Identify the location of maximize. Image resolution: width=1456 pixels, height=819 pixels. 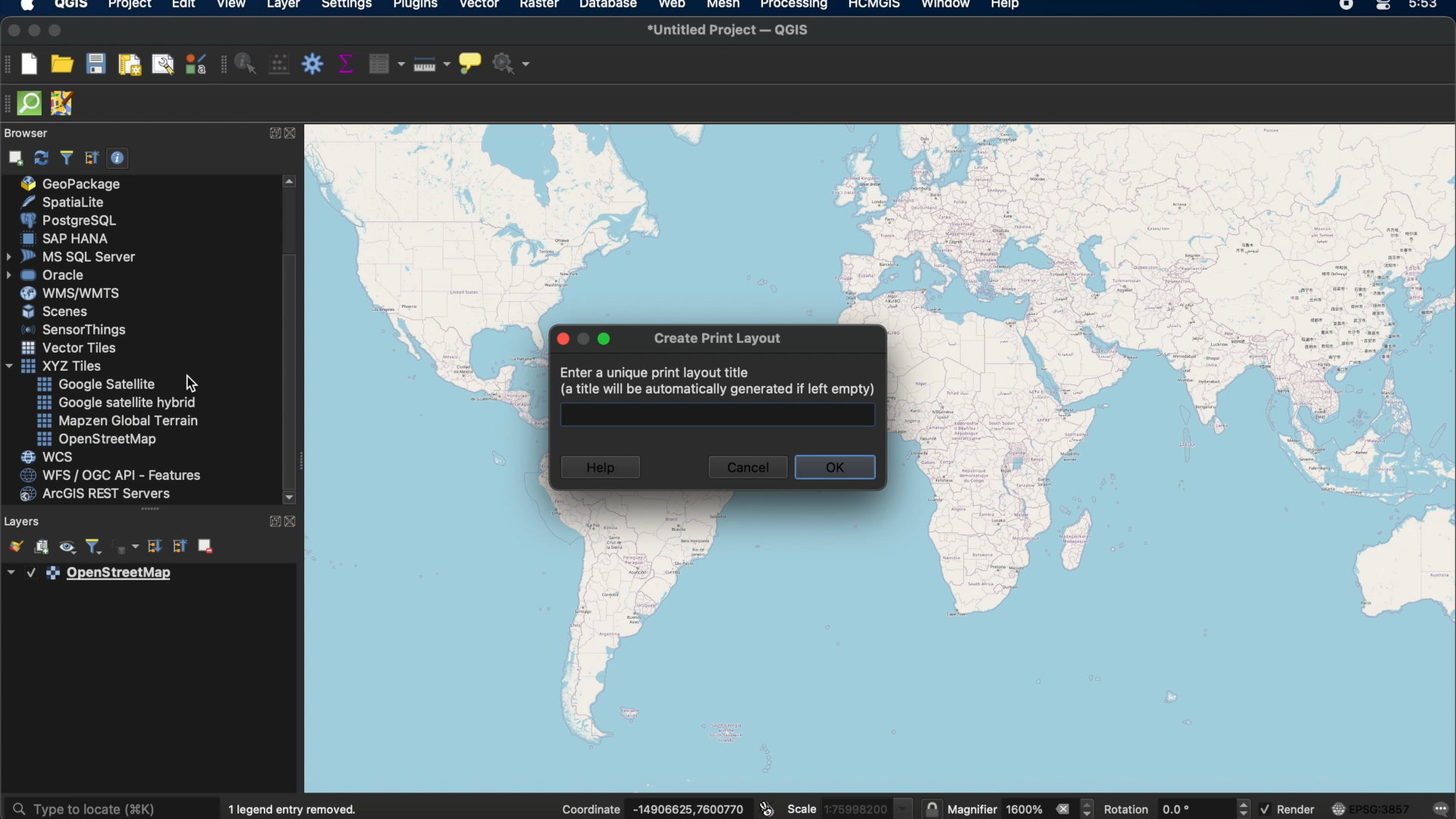
(57, 30).